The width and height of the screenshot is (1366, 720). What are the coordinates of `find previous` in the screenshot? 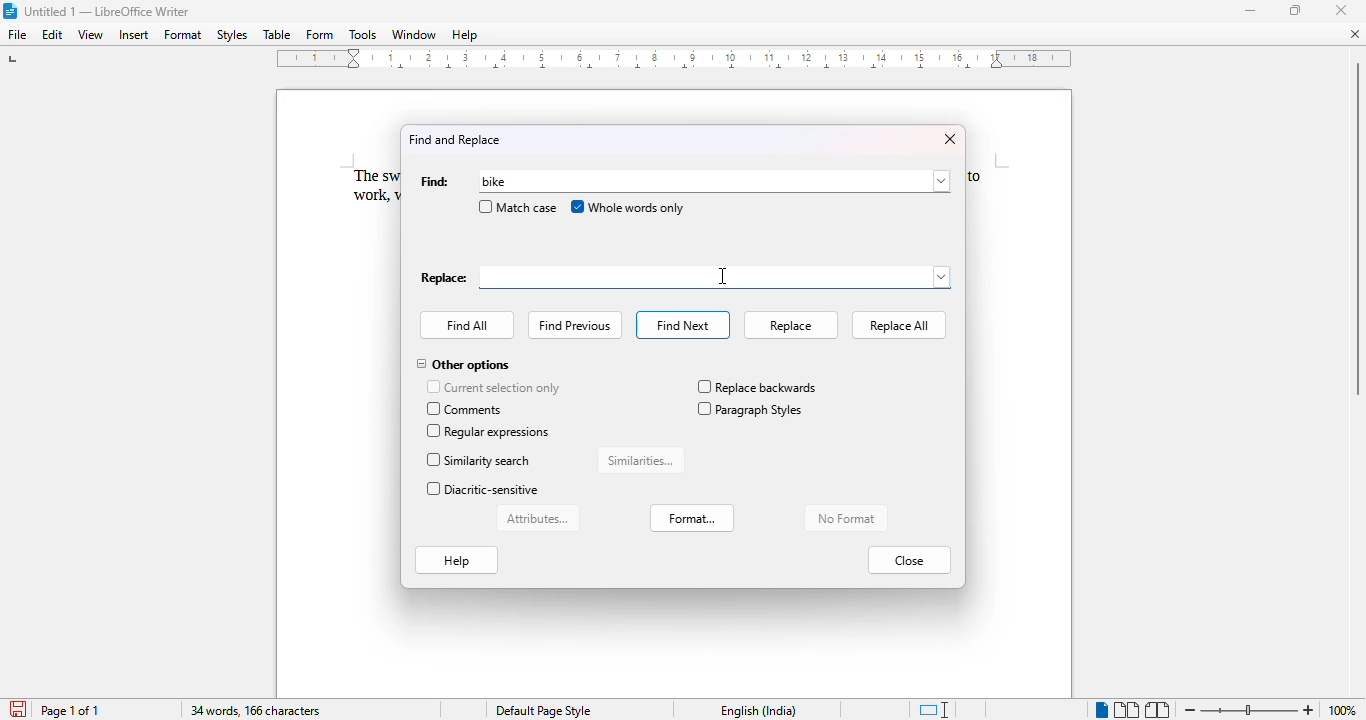 It's located at (575, 326).